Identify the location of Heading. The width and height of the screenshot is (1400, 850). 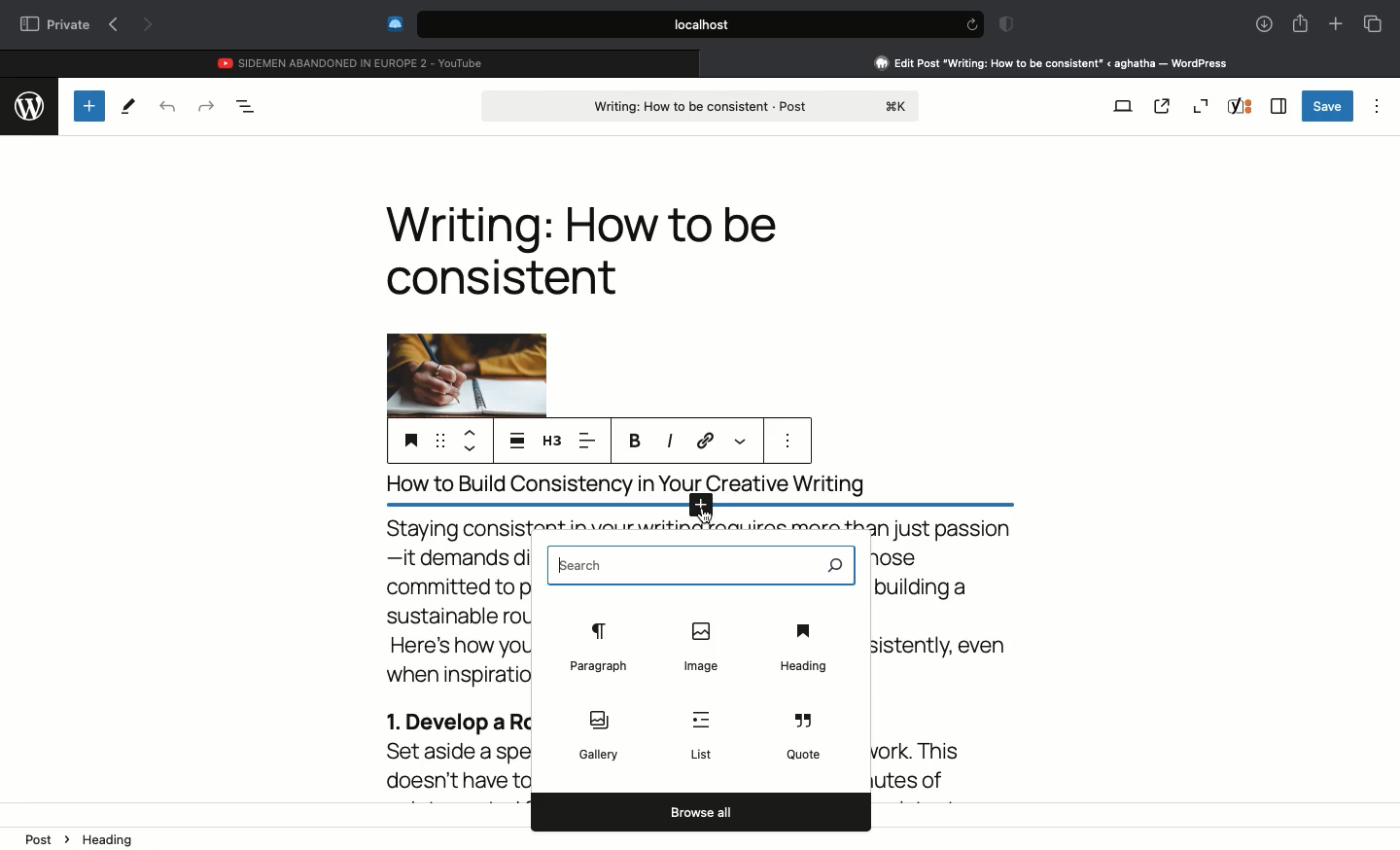
(581, 250).